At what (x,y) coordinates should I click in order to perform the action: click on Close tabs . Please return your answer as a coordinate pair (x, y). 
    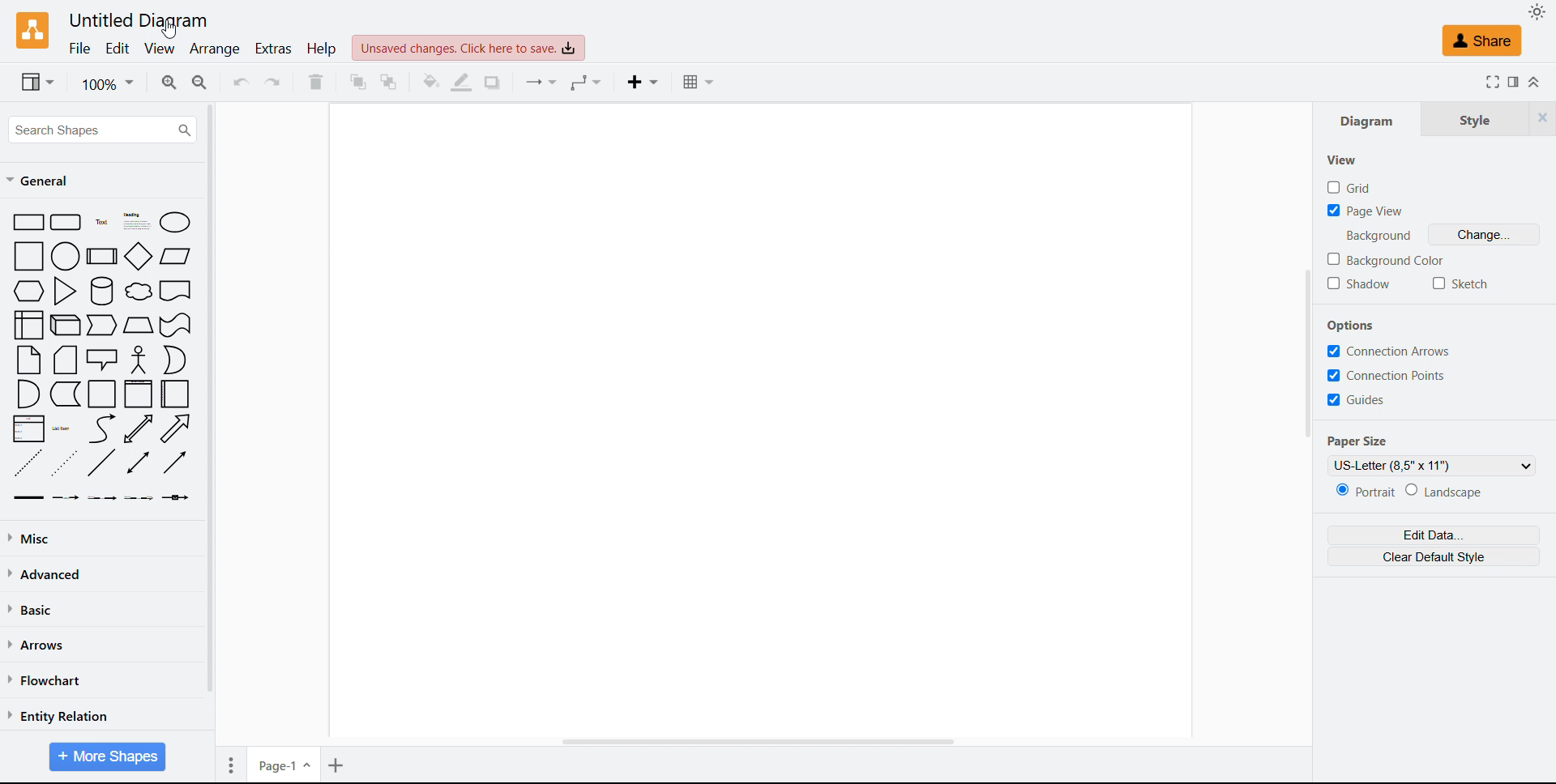
    Looking at the image, I should click on (1545, 117).